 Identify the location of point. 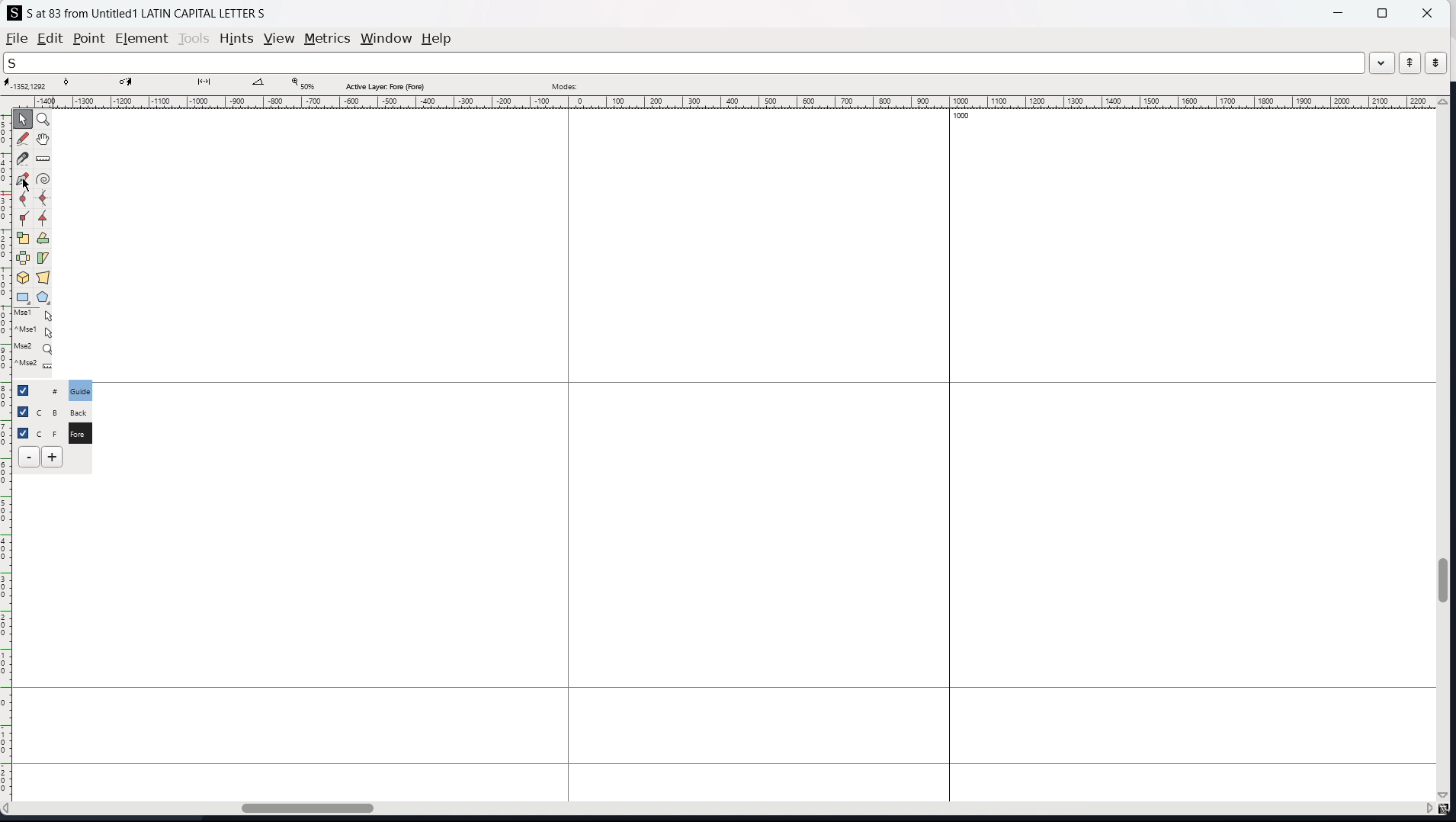
(88, 40).